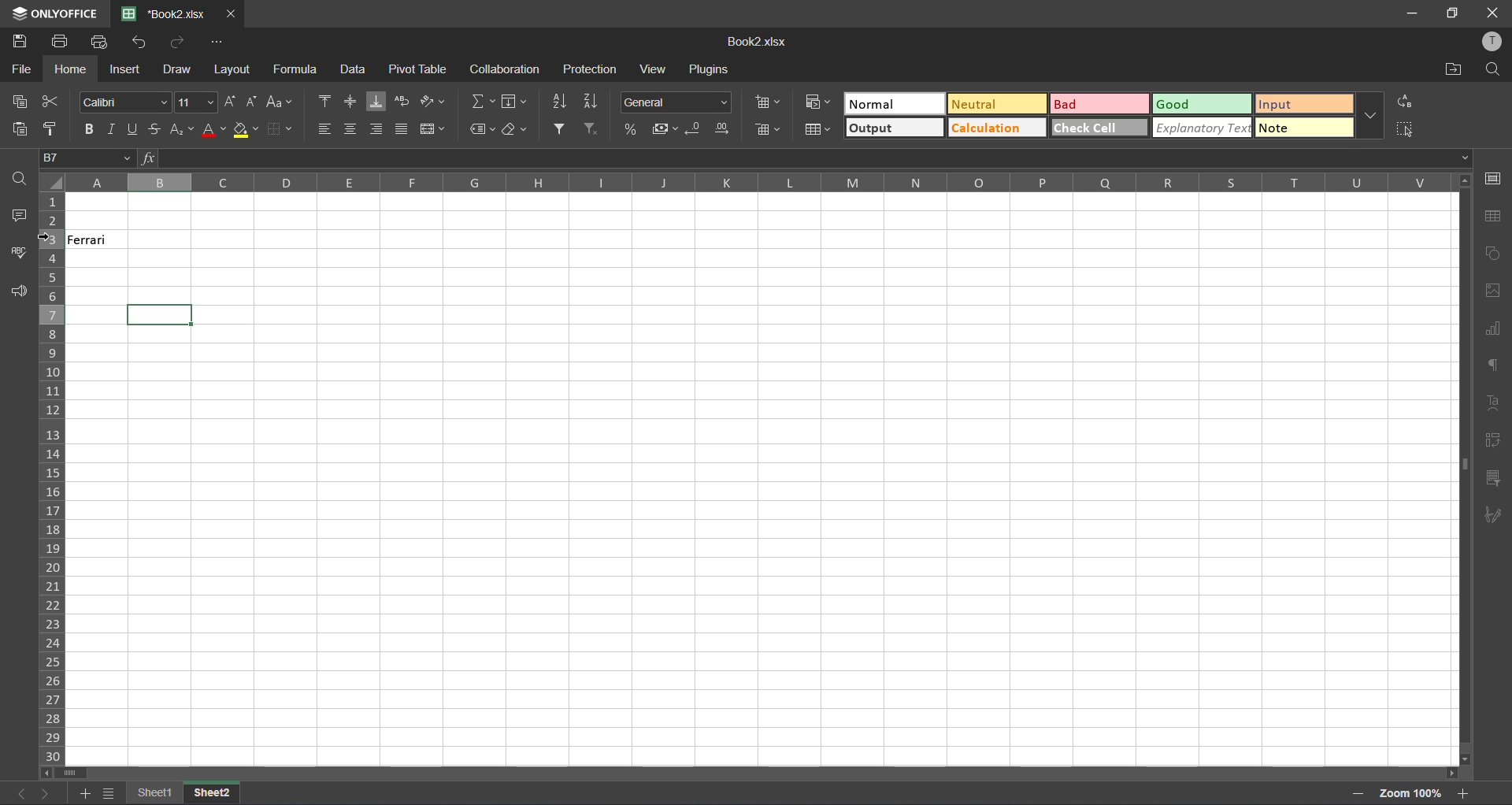 The height and width of the screenshot is (805, 1512). What do you see at coordinates (17, 793) in the screenshot?
I see `previous` at bounding box center [17, 793].